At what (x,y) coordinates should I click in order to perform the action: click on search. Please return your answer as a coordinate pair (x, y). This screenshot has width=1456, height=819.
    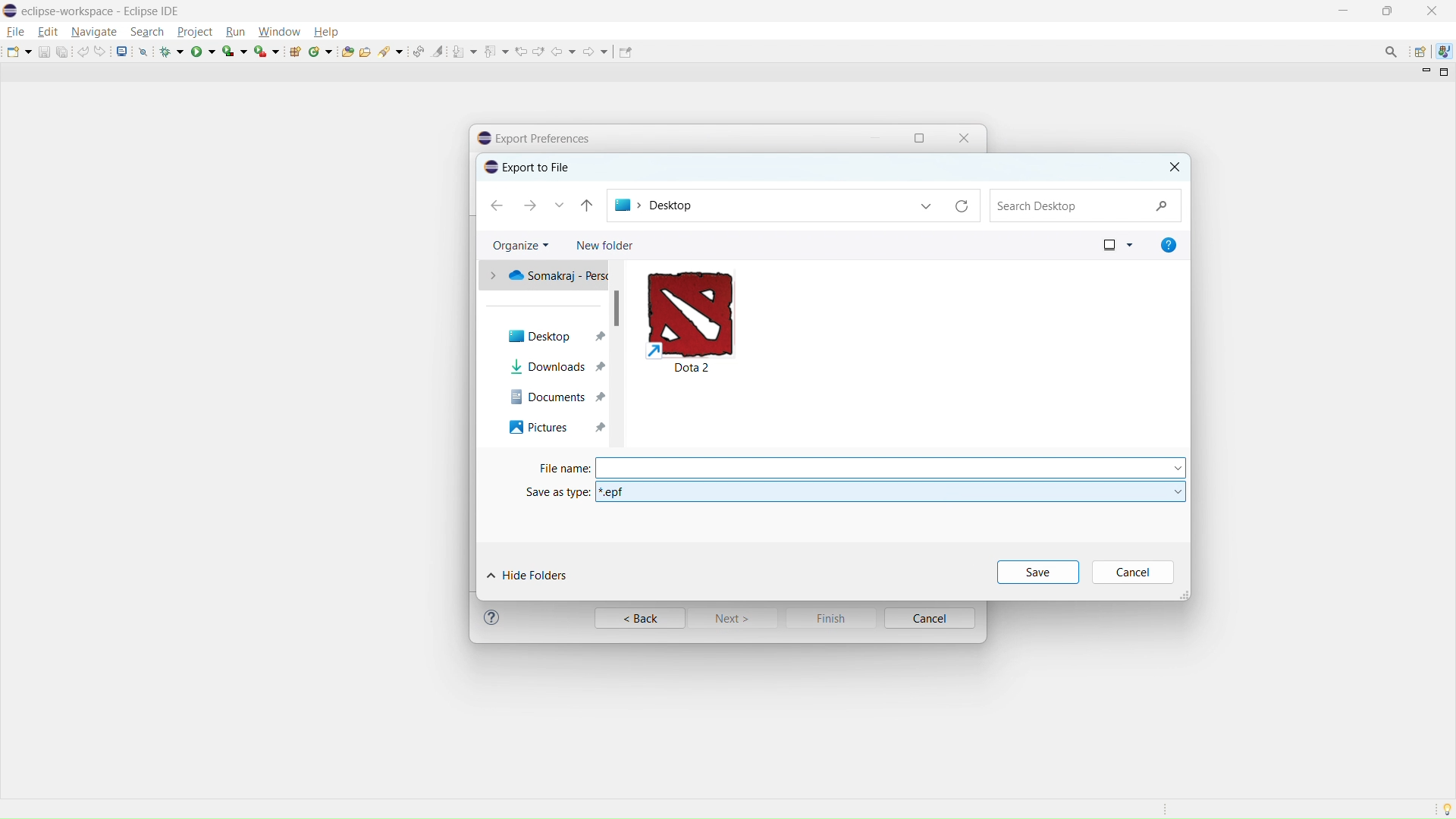
    Looking at the image, I should click on (147, 32).